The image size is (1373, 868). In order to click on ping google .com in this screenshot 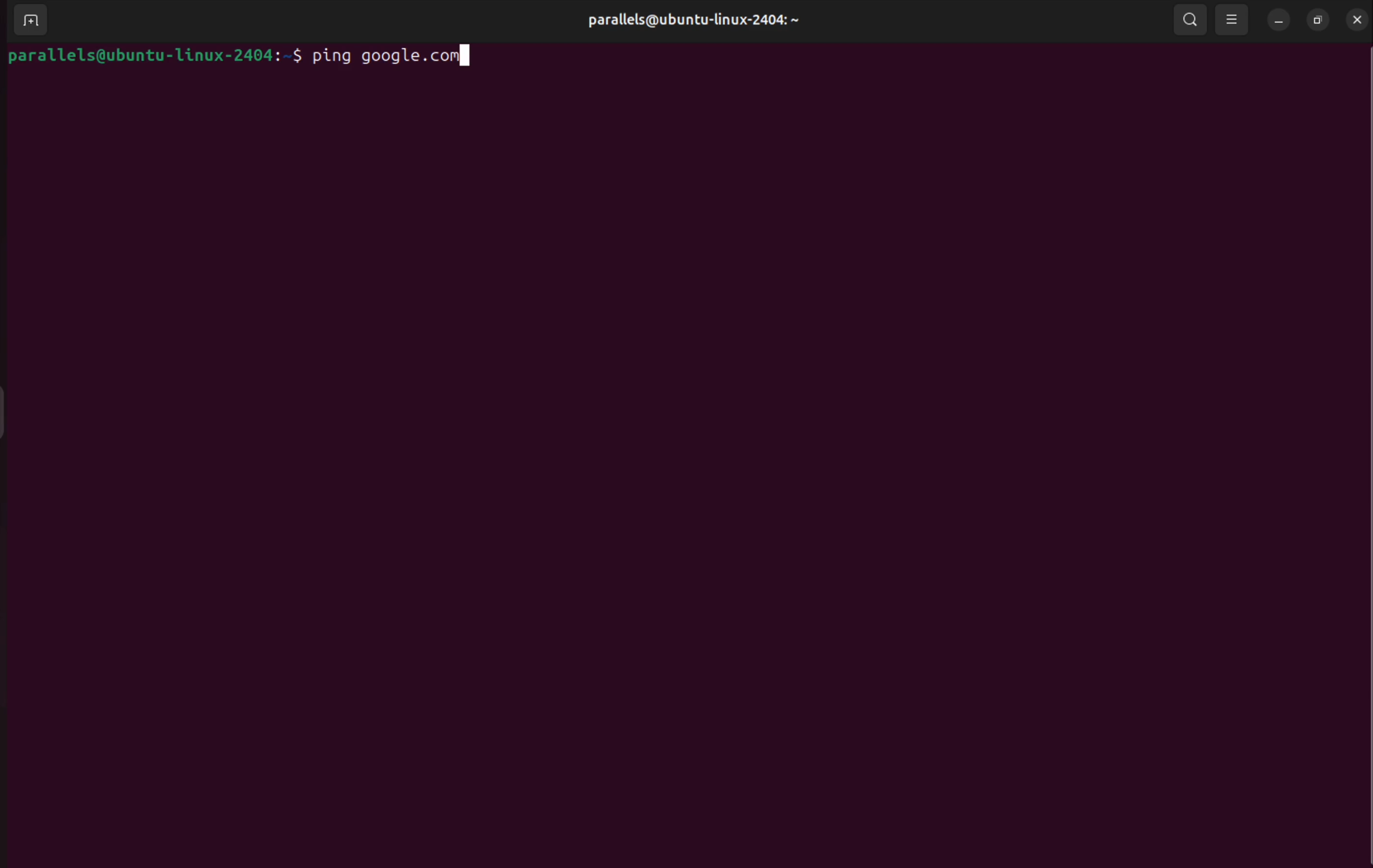, I will do `click(394, 56)`.